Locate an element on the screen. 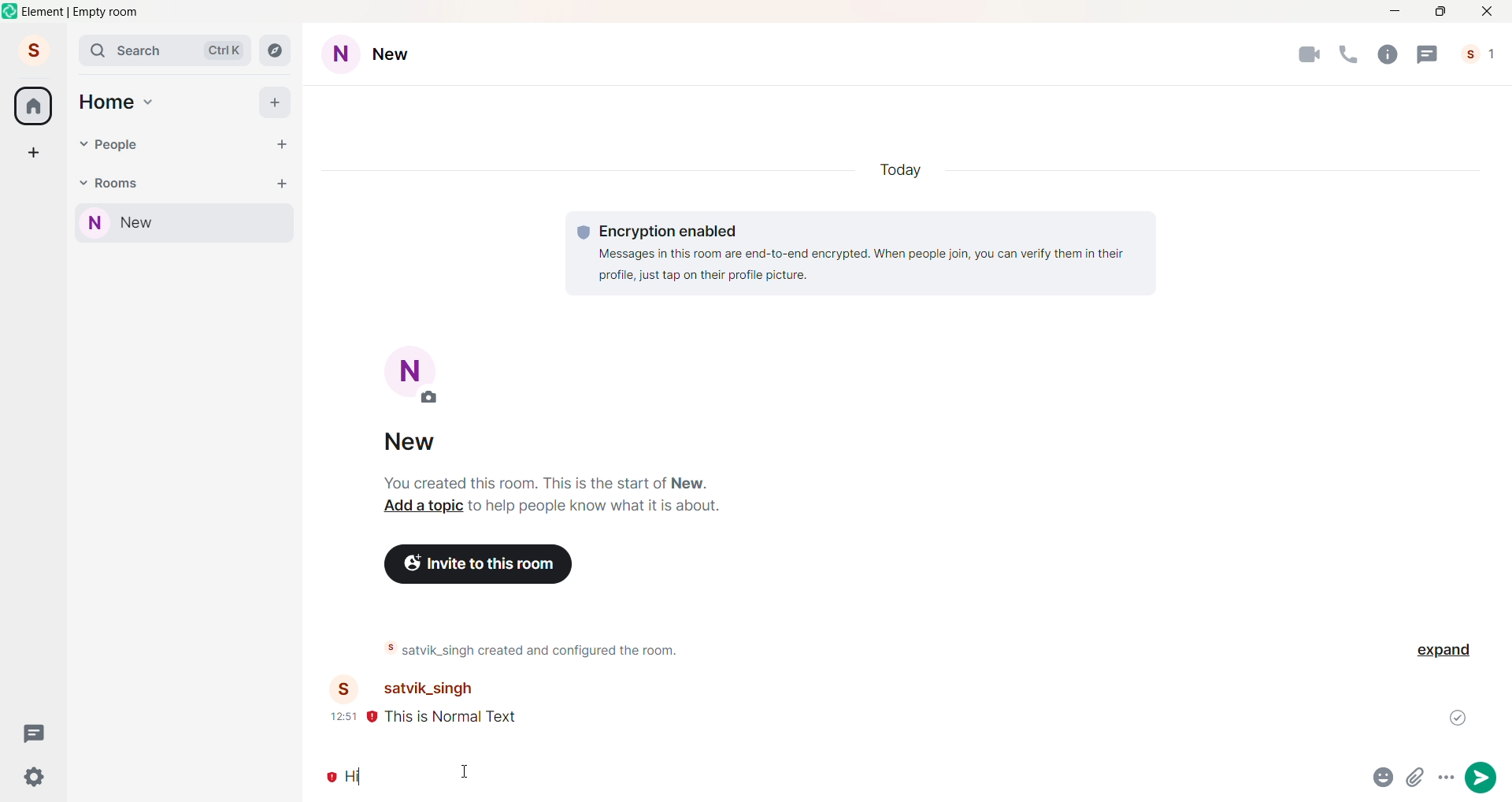 This screenshot has width=1512, height=802. start chat is located at coordinates (281, 145).